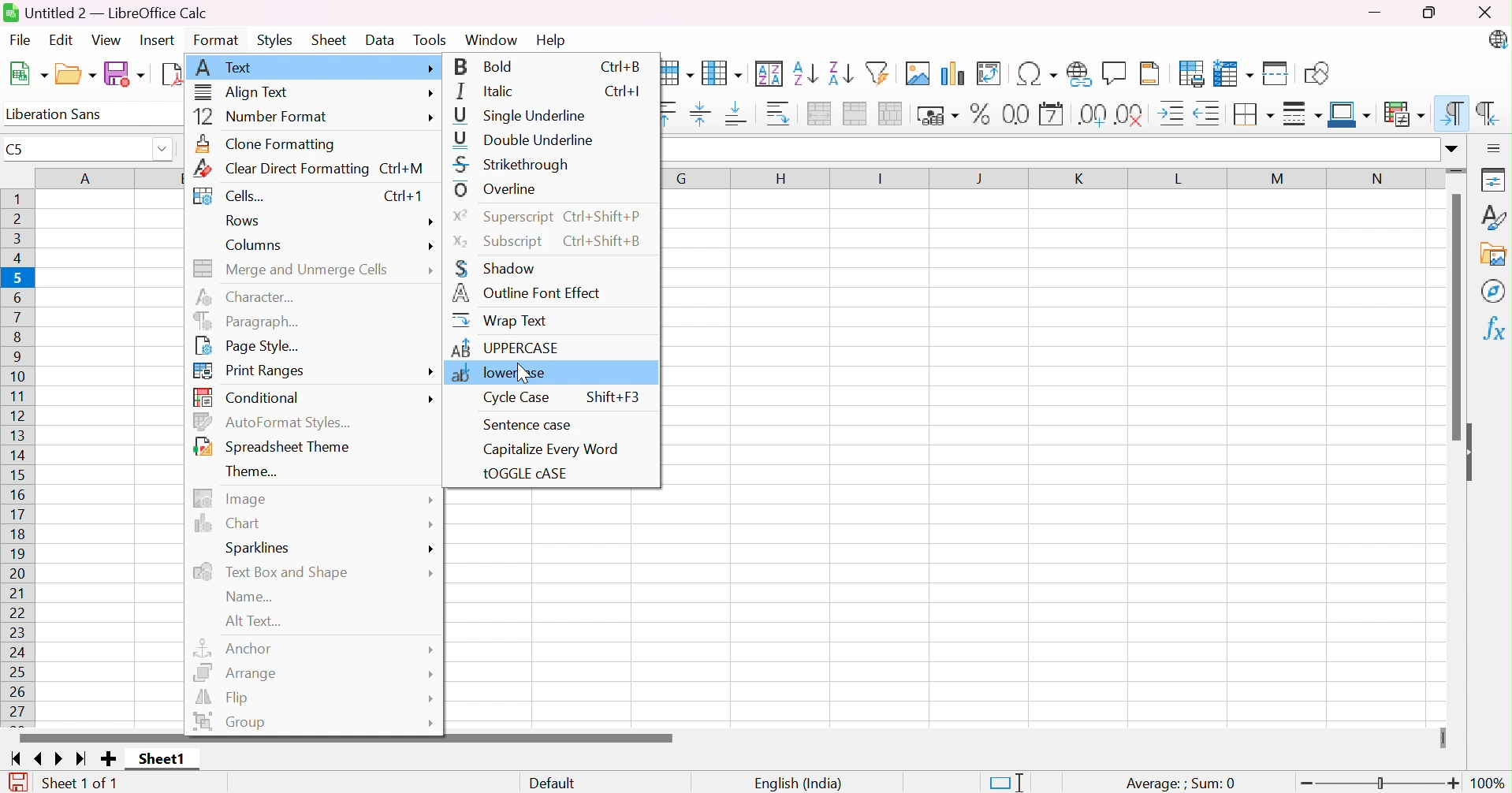 The image size is (1512, 793). I want to click on Merge and Unmerge Cells, so click(292, 266).